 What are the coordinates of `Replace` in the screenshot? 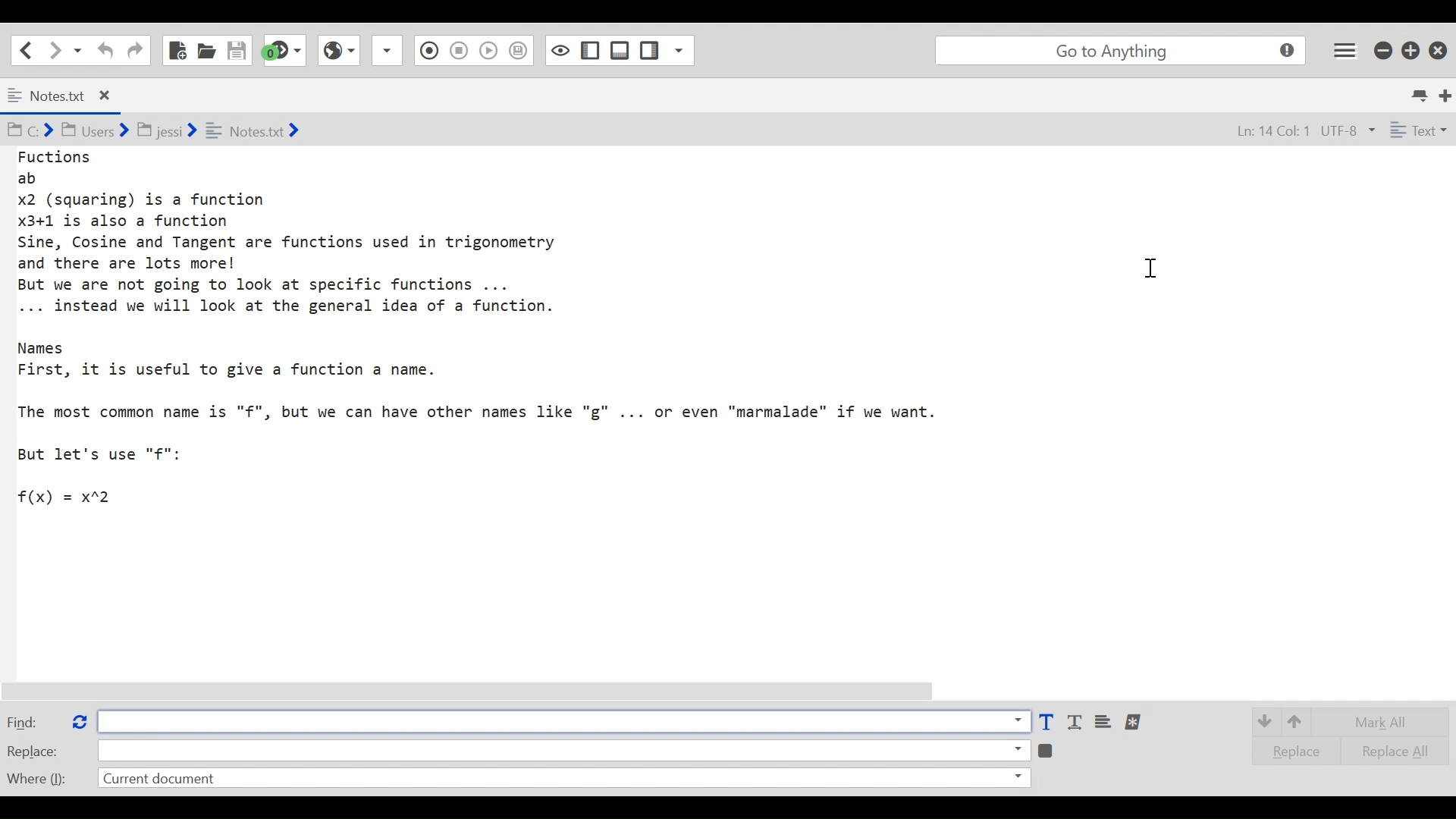 It's located at (1291, 751).